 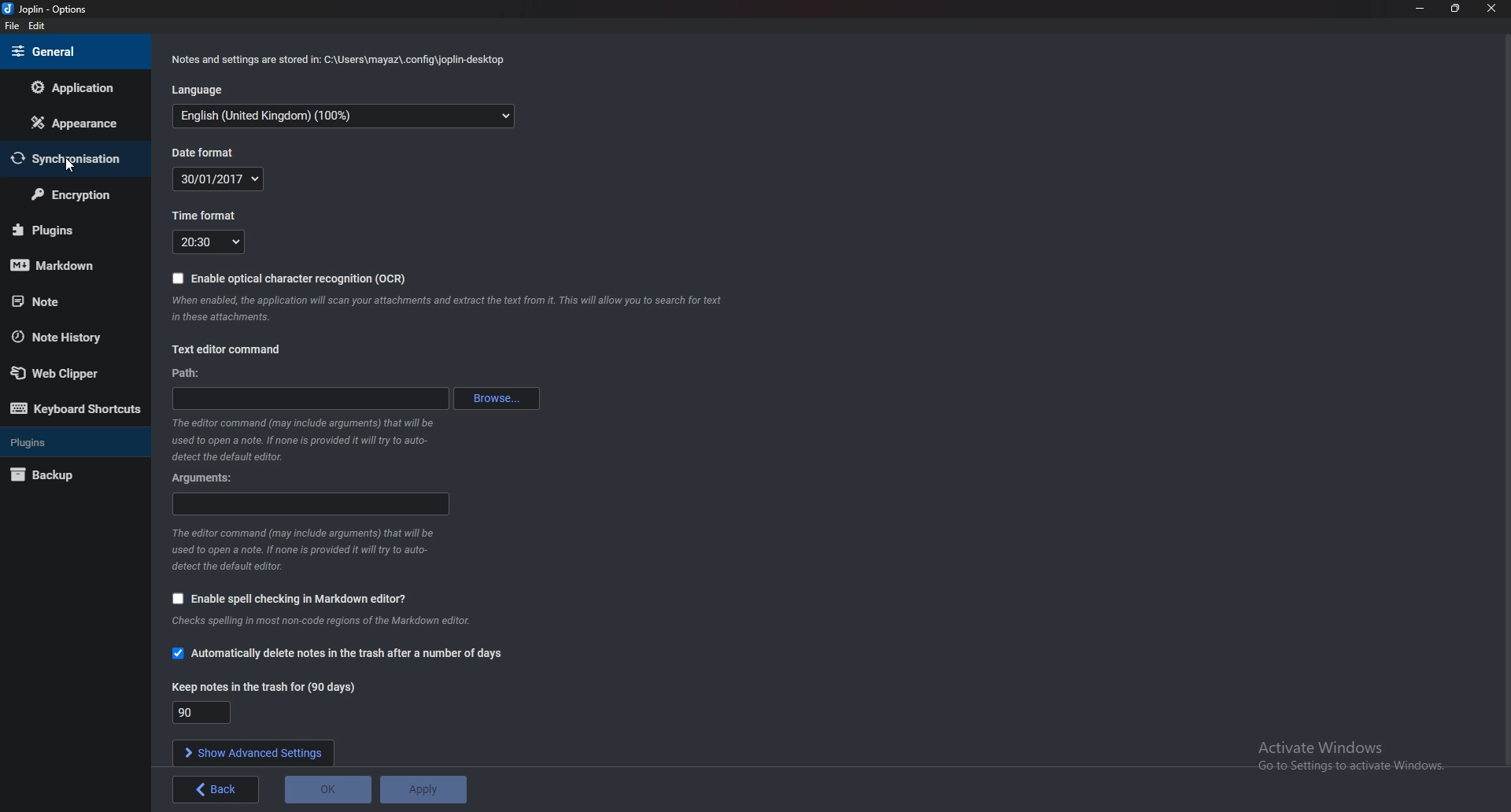 What do you see at coordinates (424, 788) in the screenshot?
I see `Apply` at bounding box center [424, 788].